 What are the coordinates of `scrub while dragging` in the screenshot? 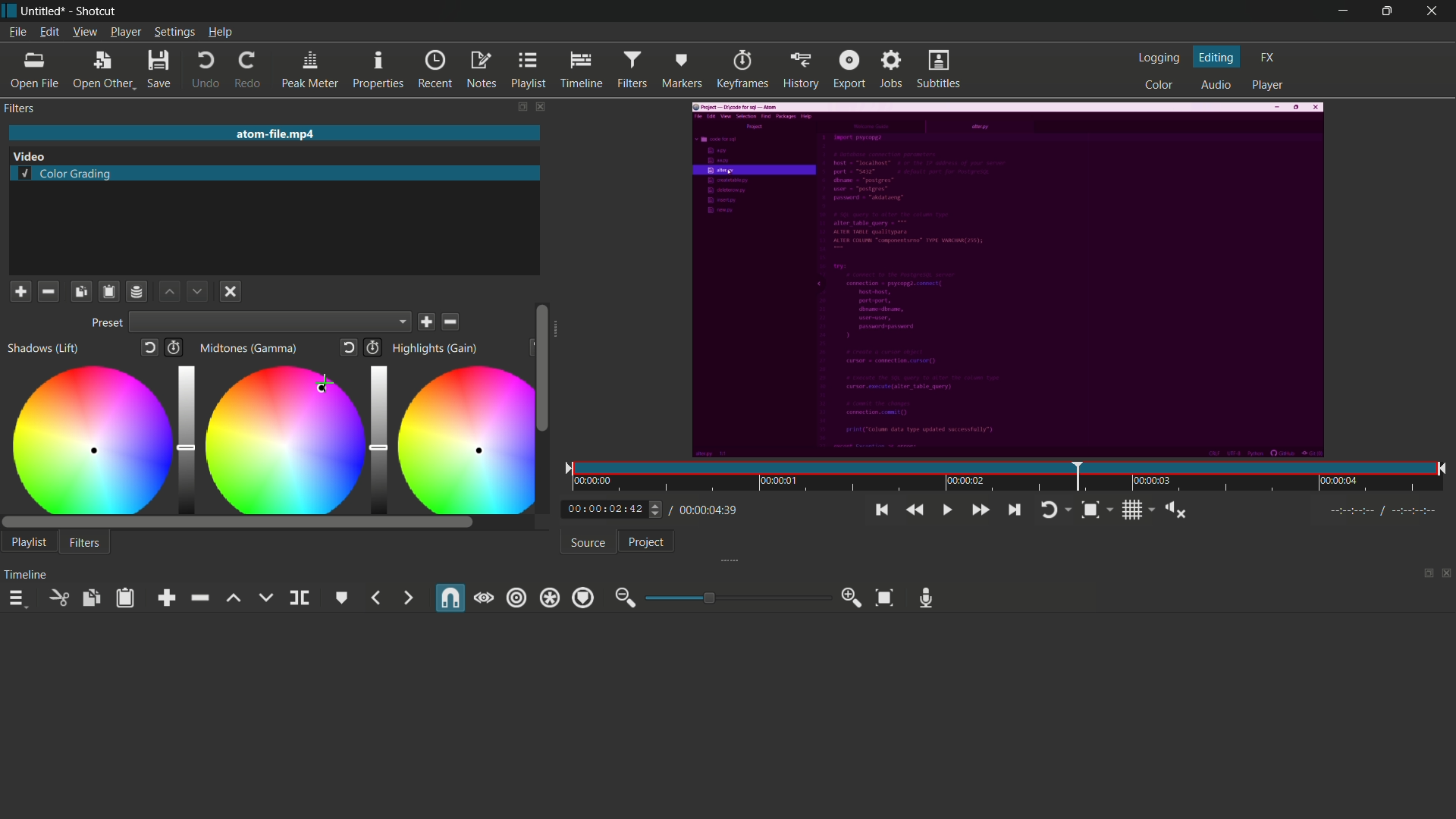 It's located at (484, 598).